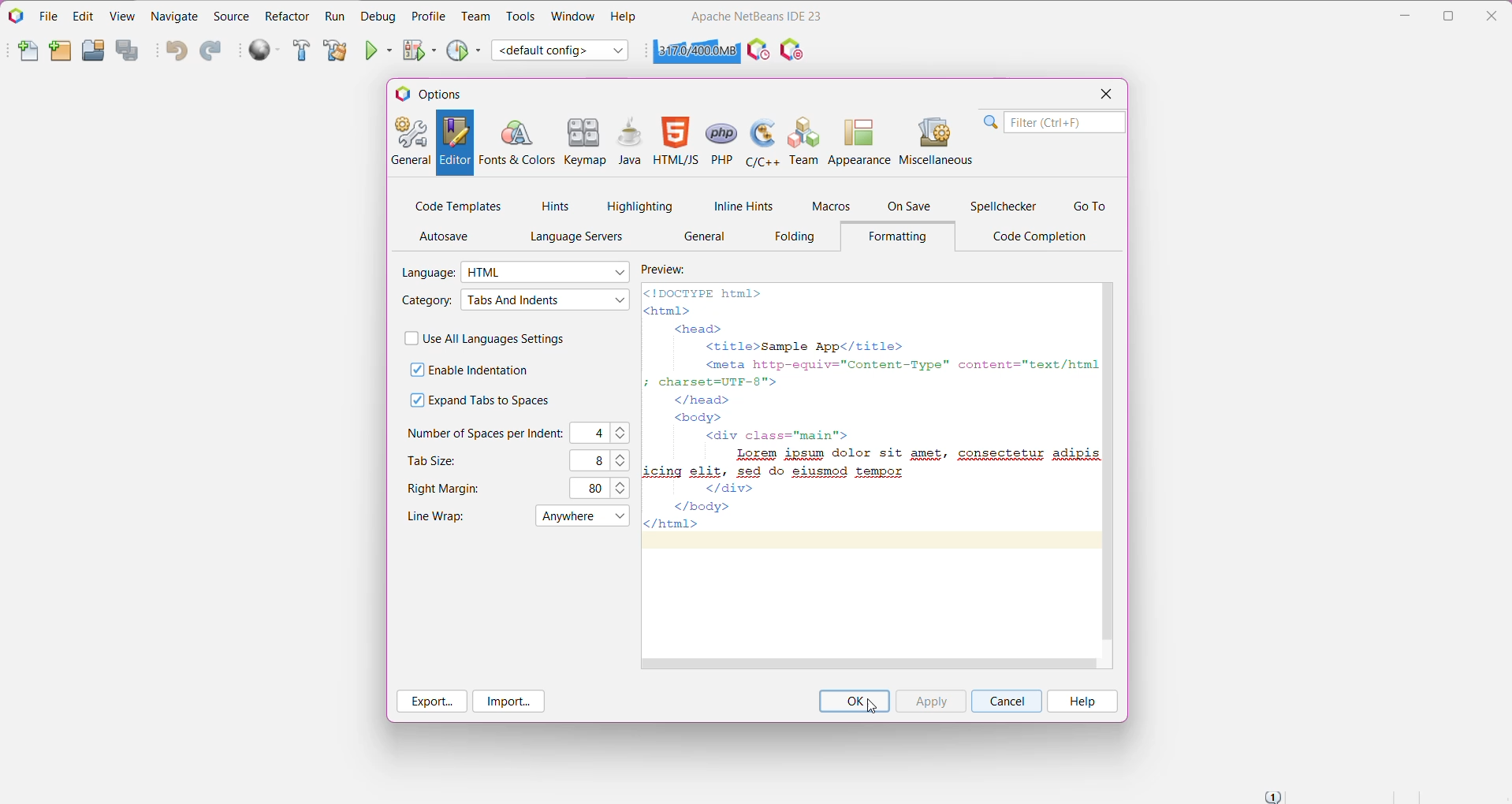 The image size is (1512, 804). I want to click on Cancel, so click(1006, 702).